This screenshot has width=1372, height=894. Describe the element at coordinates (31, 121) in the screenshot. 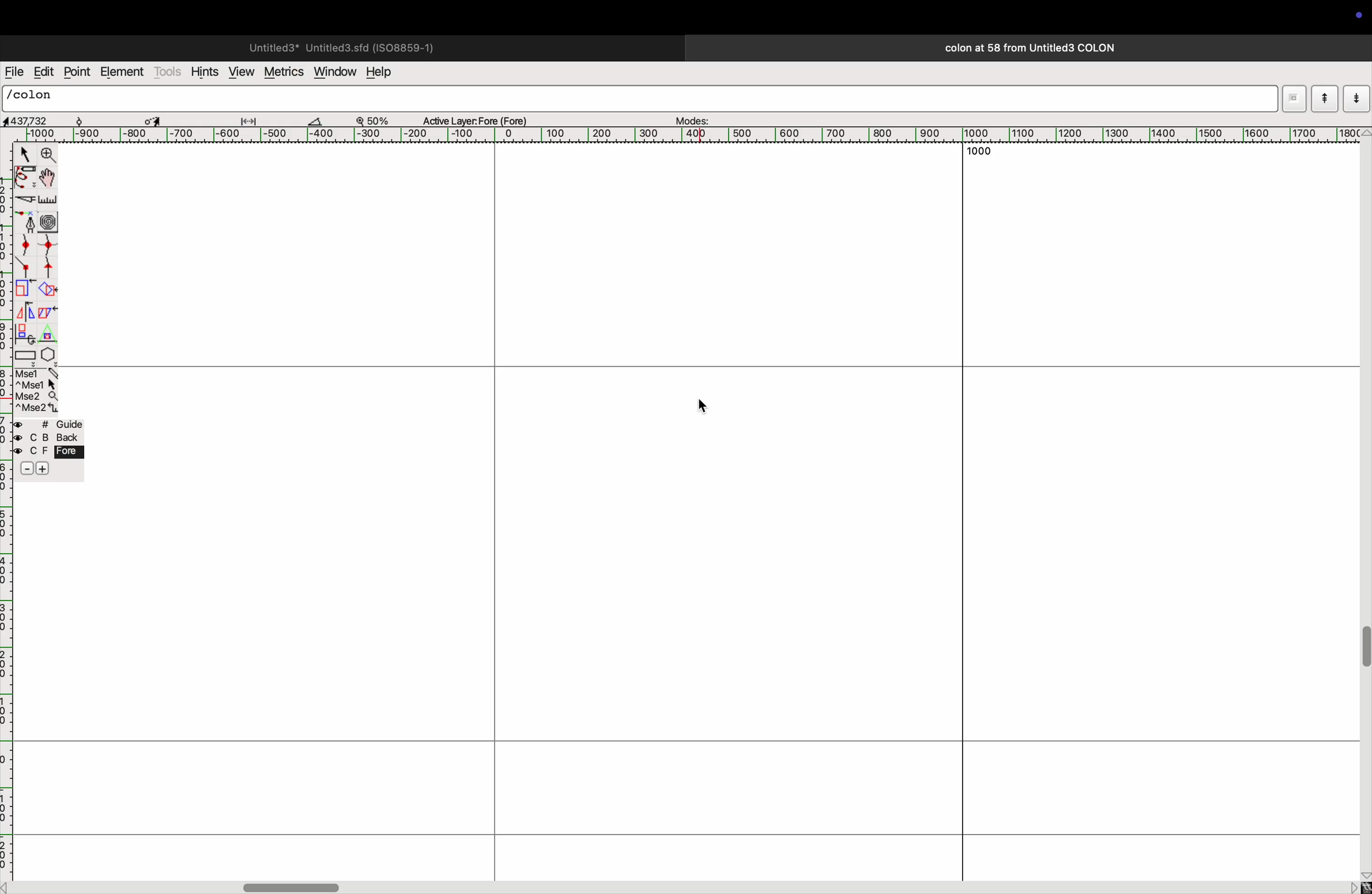

I see `aspect ratio` at that location.